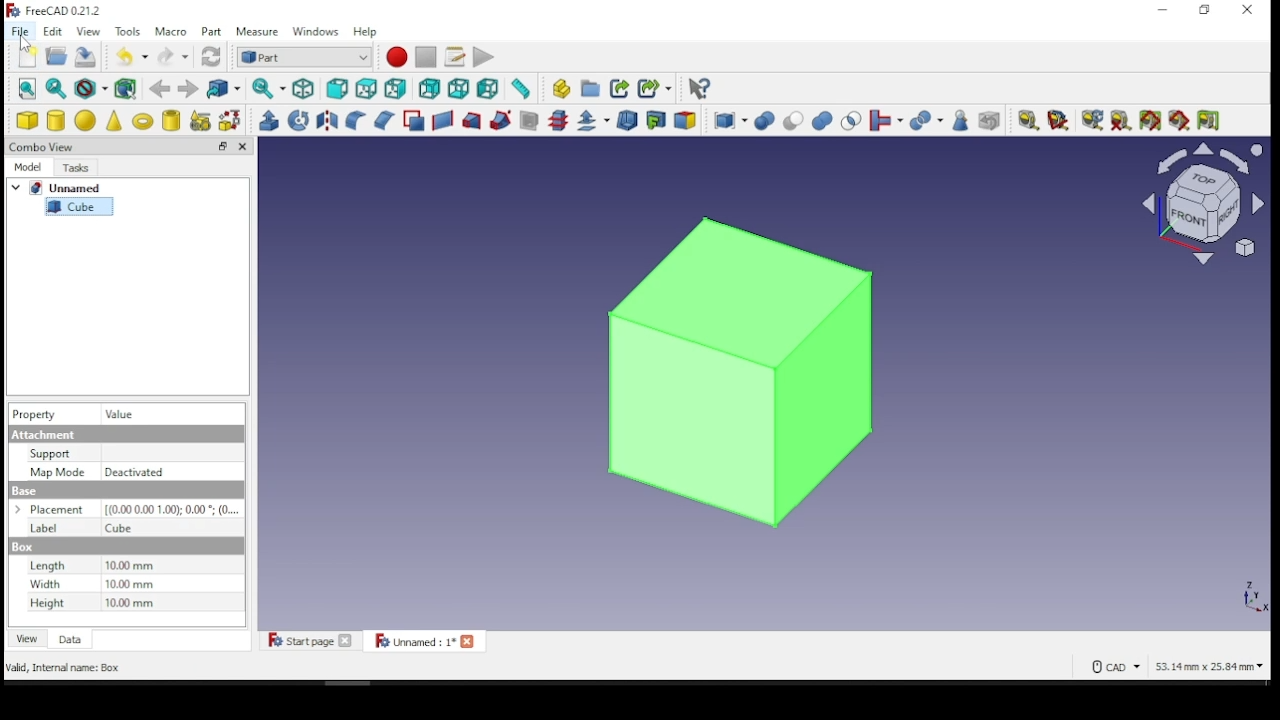 The height and width of the screenshot is (720, 1280). Describe the element at coordinates (520, 89) in the screenshot. I see `measure distance` at that location.